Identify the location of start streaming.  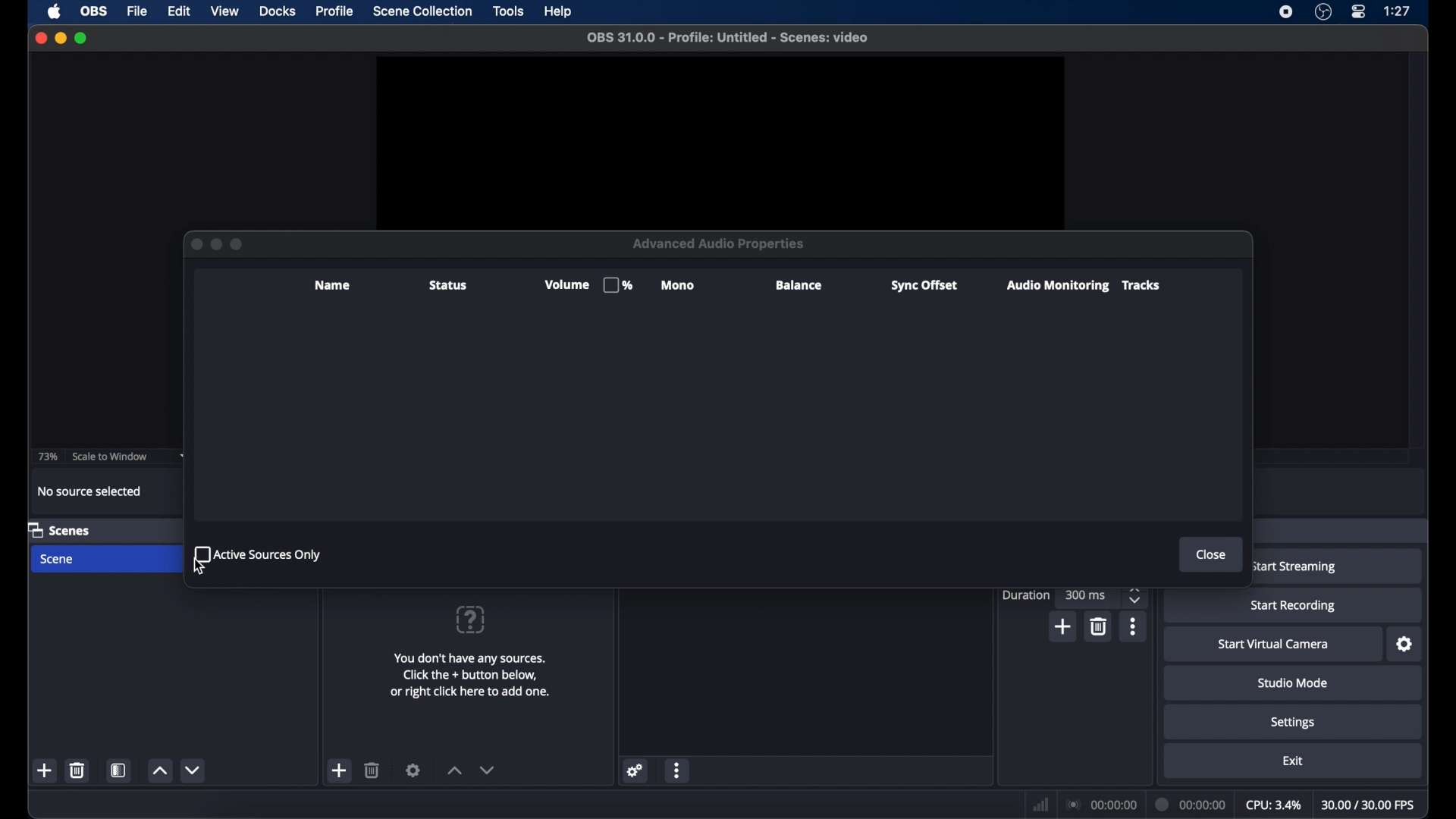
(1294, 567).